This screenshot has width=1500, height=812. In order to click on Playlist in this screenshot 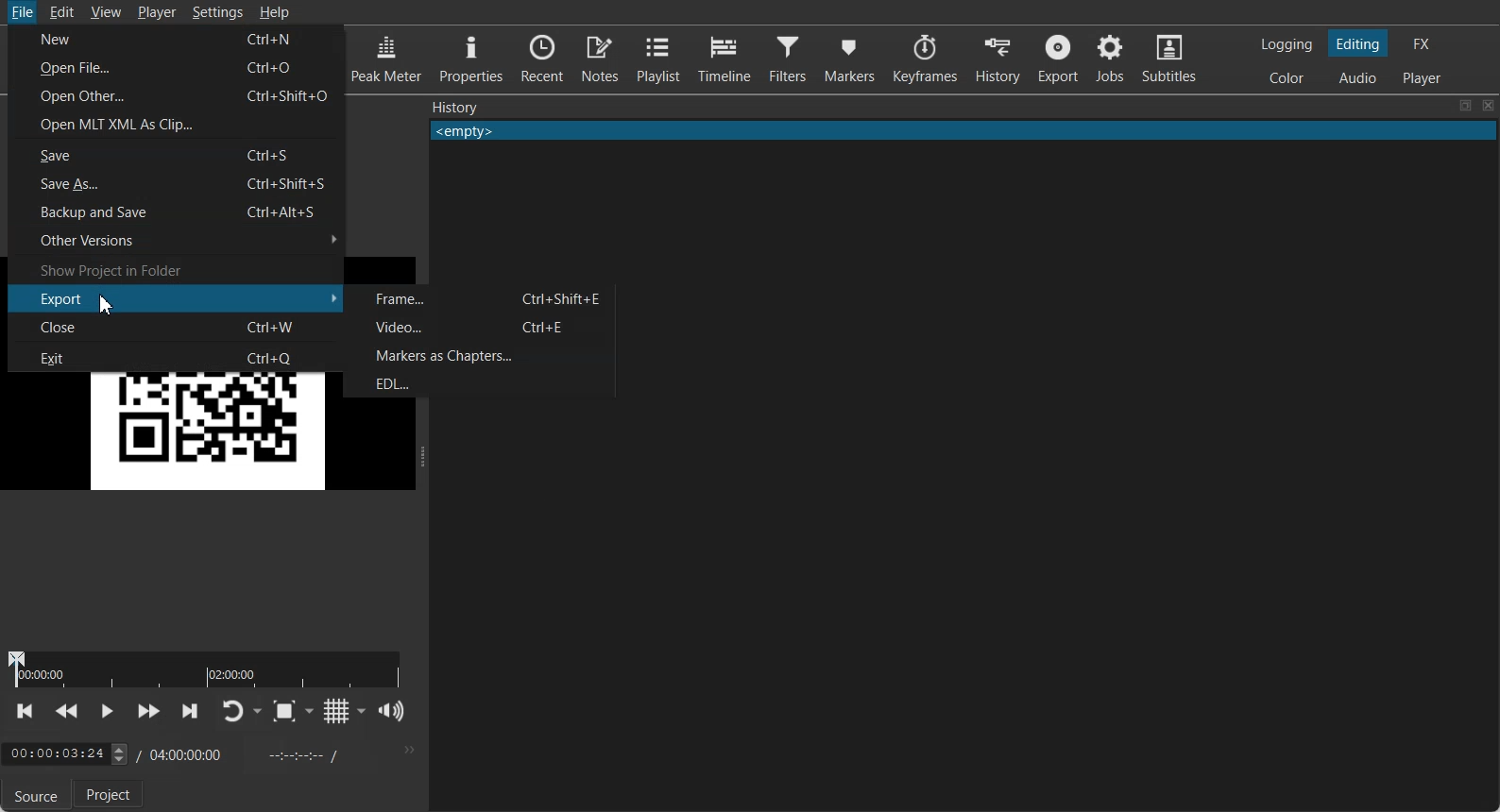, I will do `click(657, 58)`.